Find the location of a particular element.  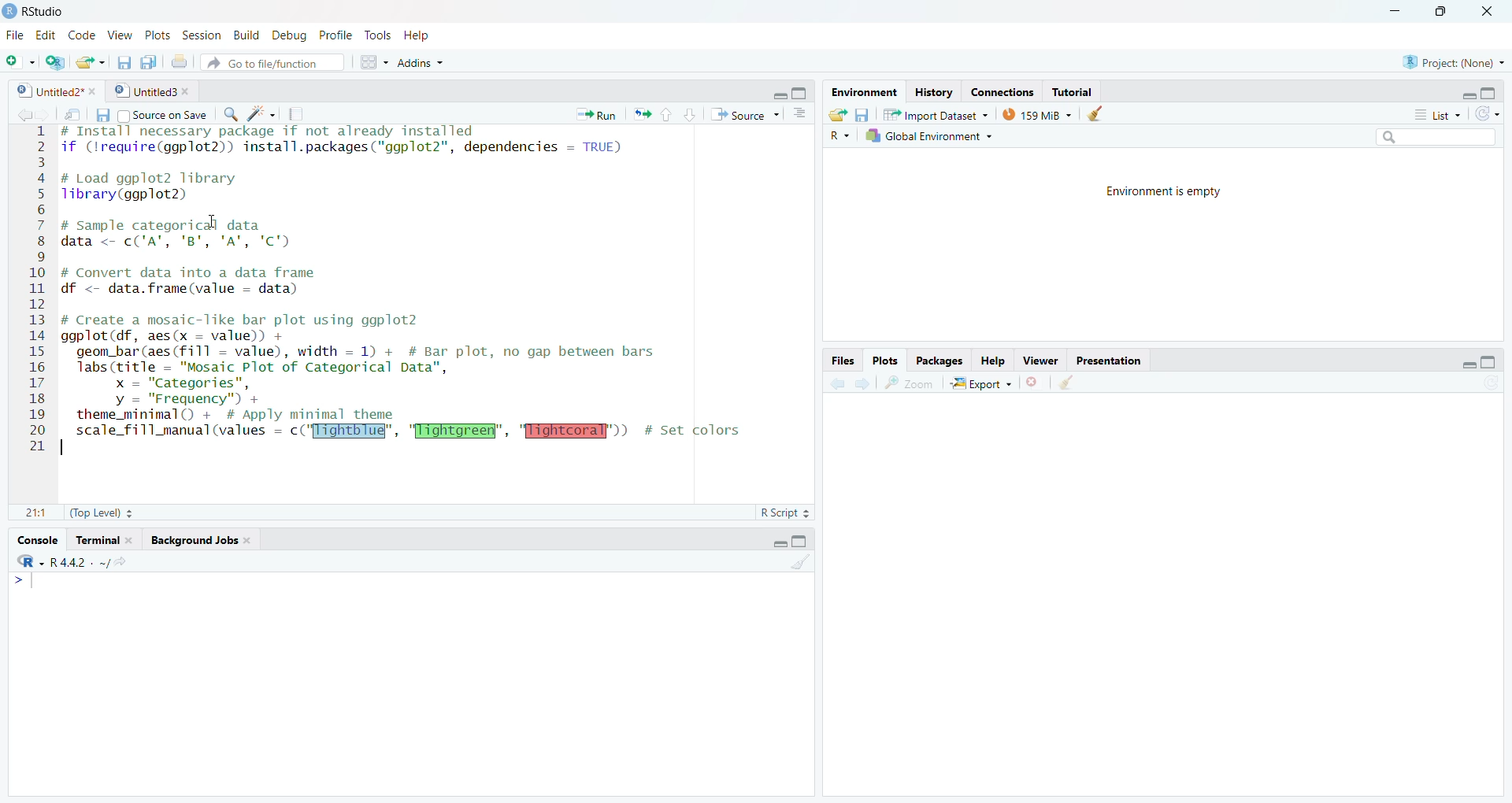

Code is located at coordinates (80, 35).